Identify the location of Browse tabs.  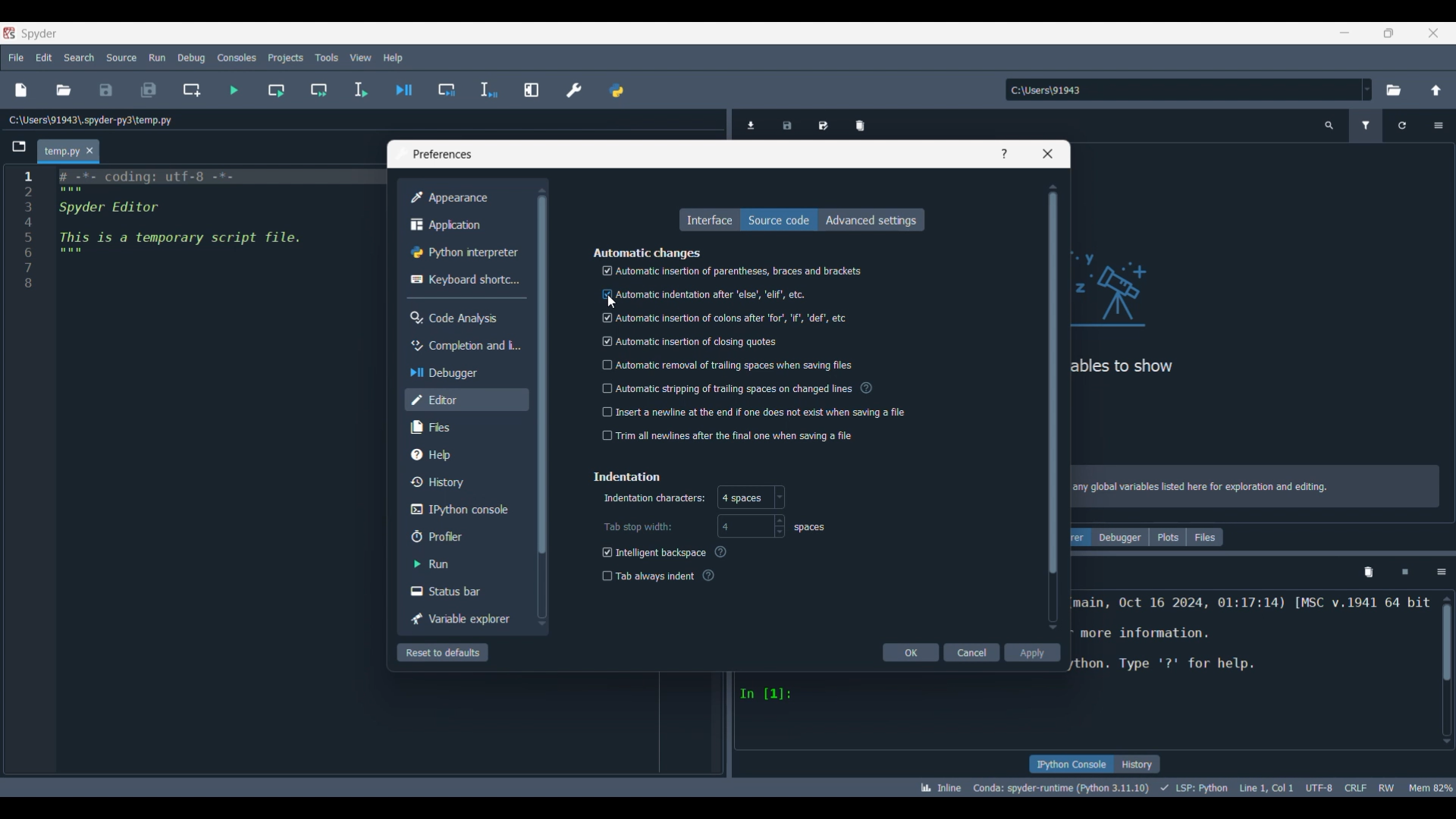
(19, 147).